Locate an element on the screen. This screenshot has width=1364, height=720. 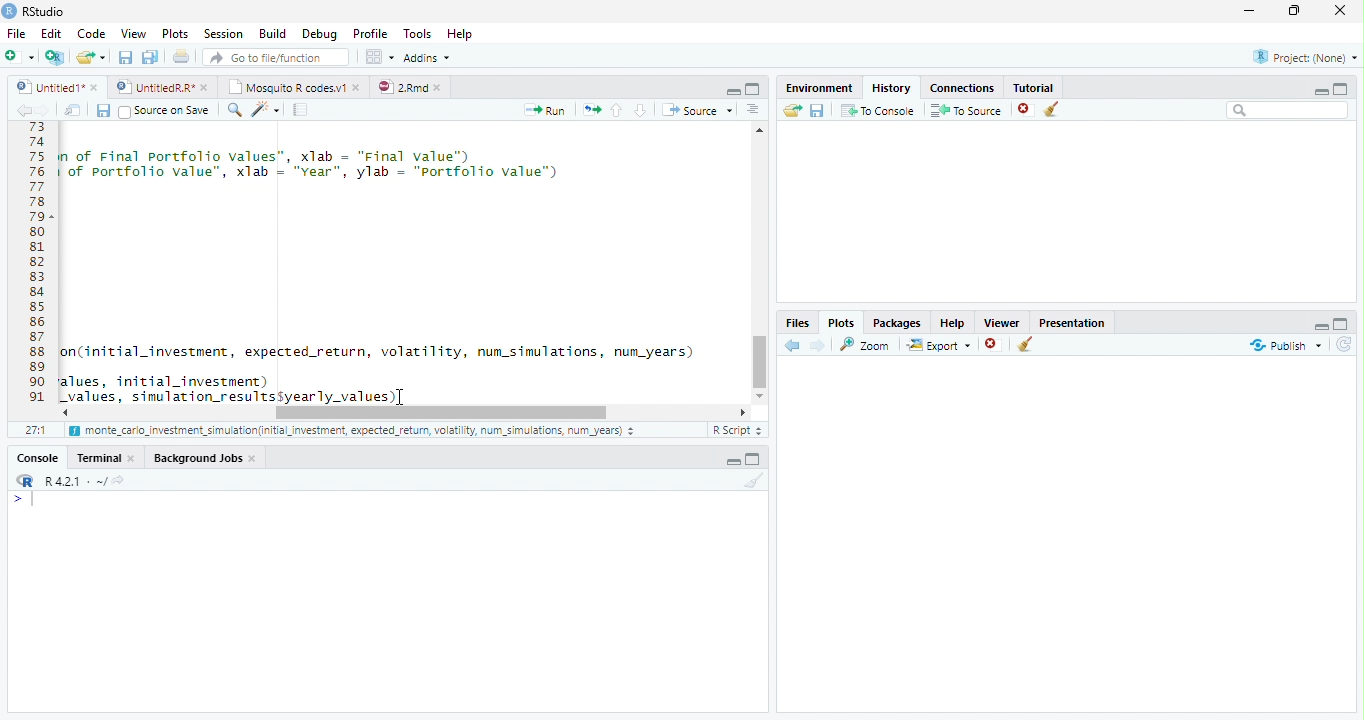
Viewer is located at coordinates (1003, 320).